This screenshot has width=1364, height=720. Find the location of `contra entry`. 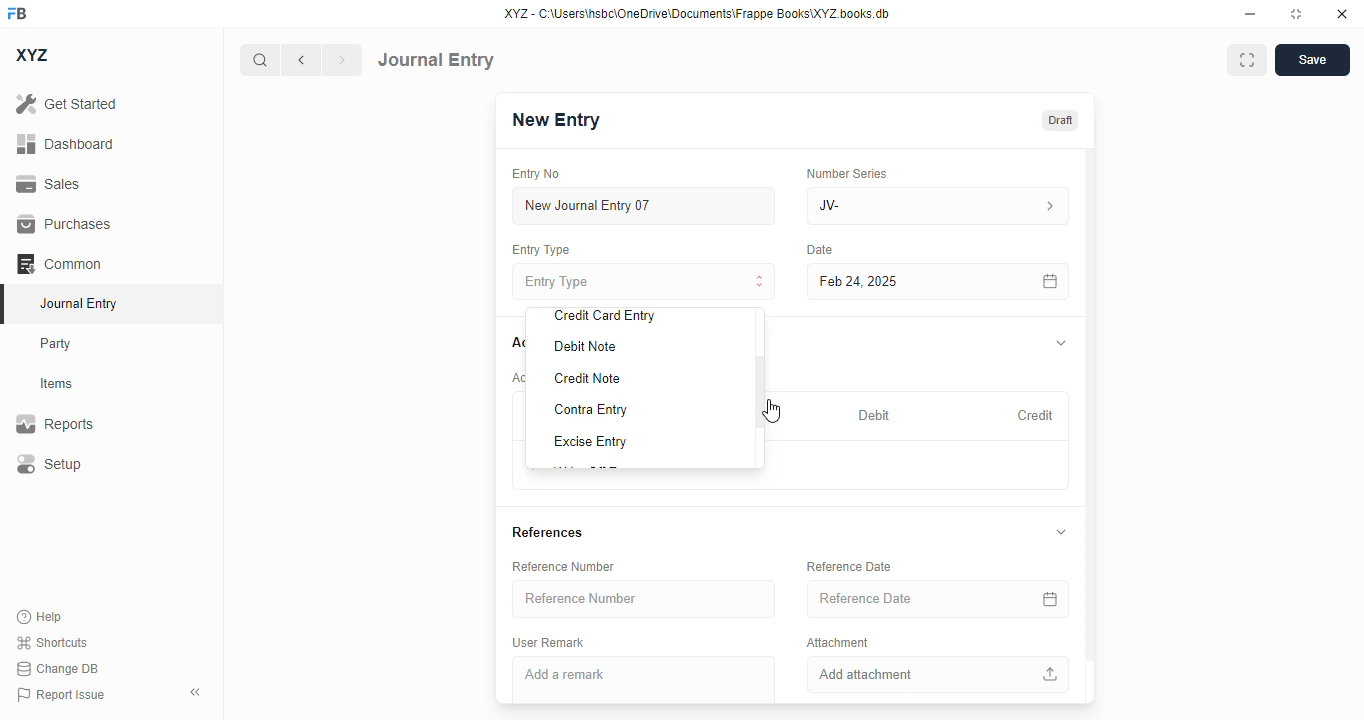

contra entry is located at coordinates (591, 410).